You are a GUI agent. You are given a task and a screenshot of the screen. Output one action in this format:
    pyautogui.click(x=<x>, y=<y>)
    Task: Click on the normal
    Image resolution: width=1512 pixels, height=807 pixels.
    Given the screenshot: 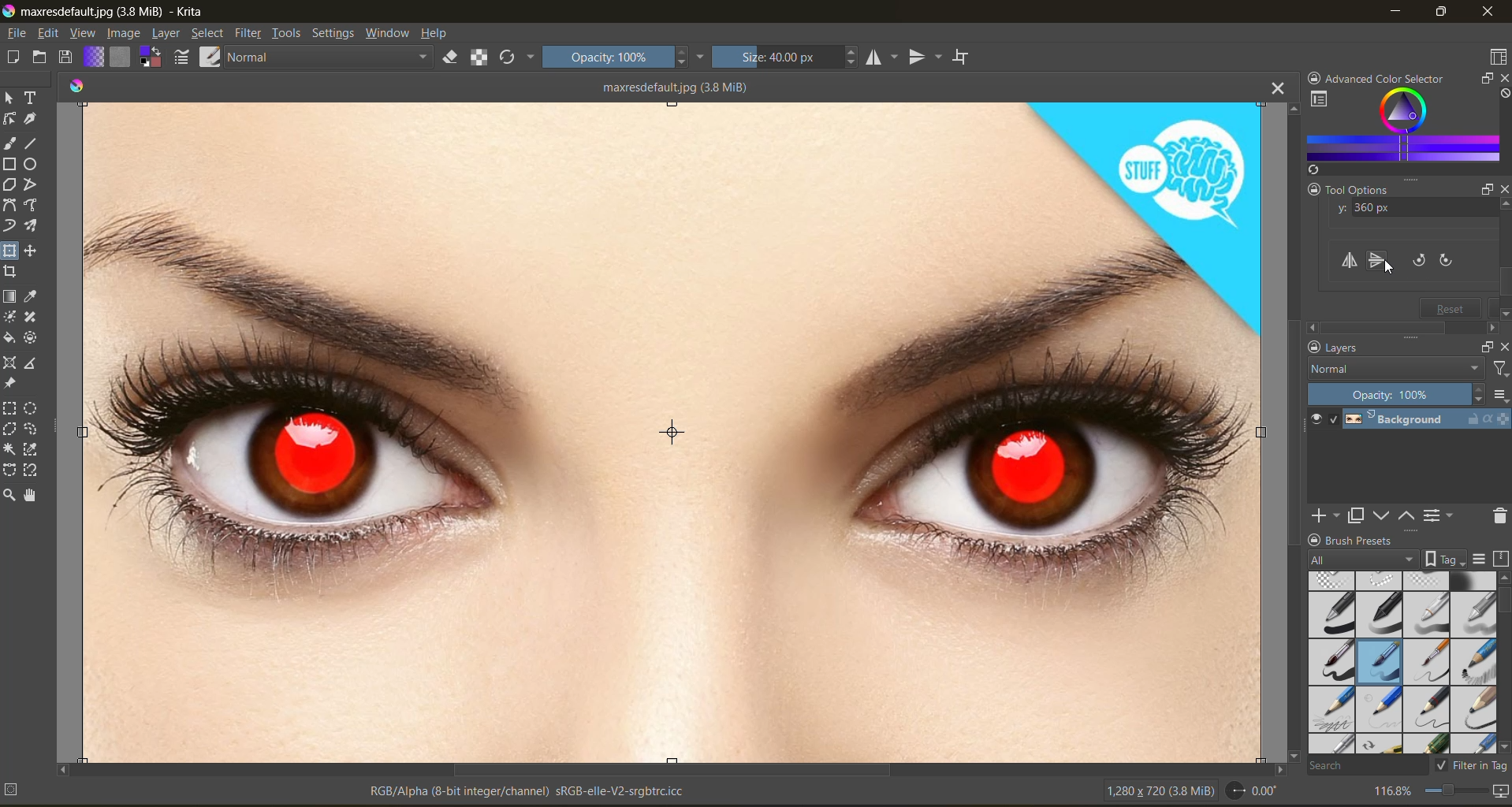 What is the action you would take?
    pyautogui.click(x=331, y=55)
    